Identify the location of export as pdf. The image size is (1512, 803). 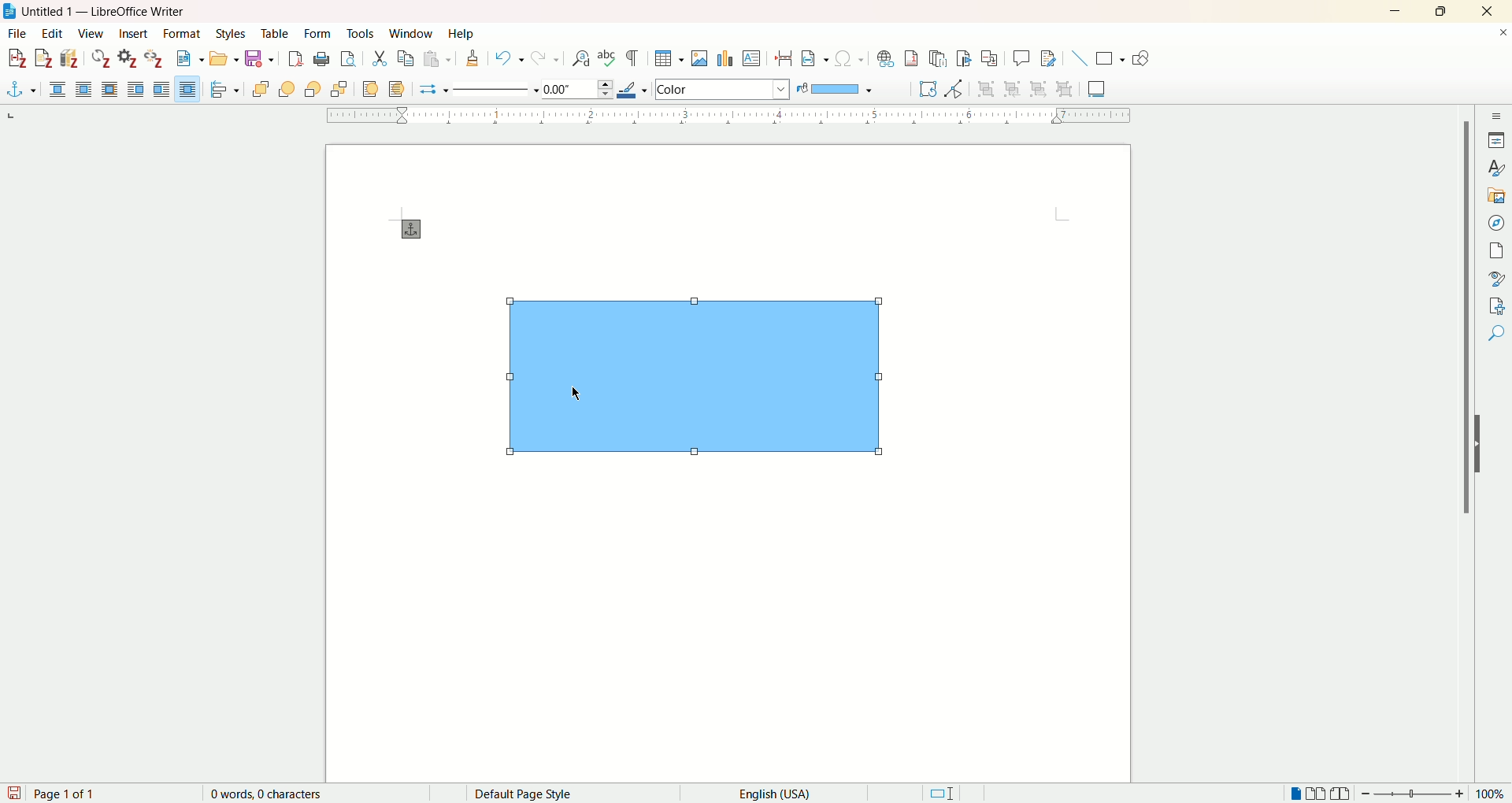
(297, 58).